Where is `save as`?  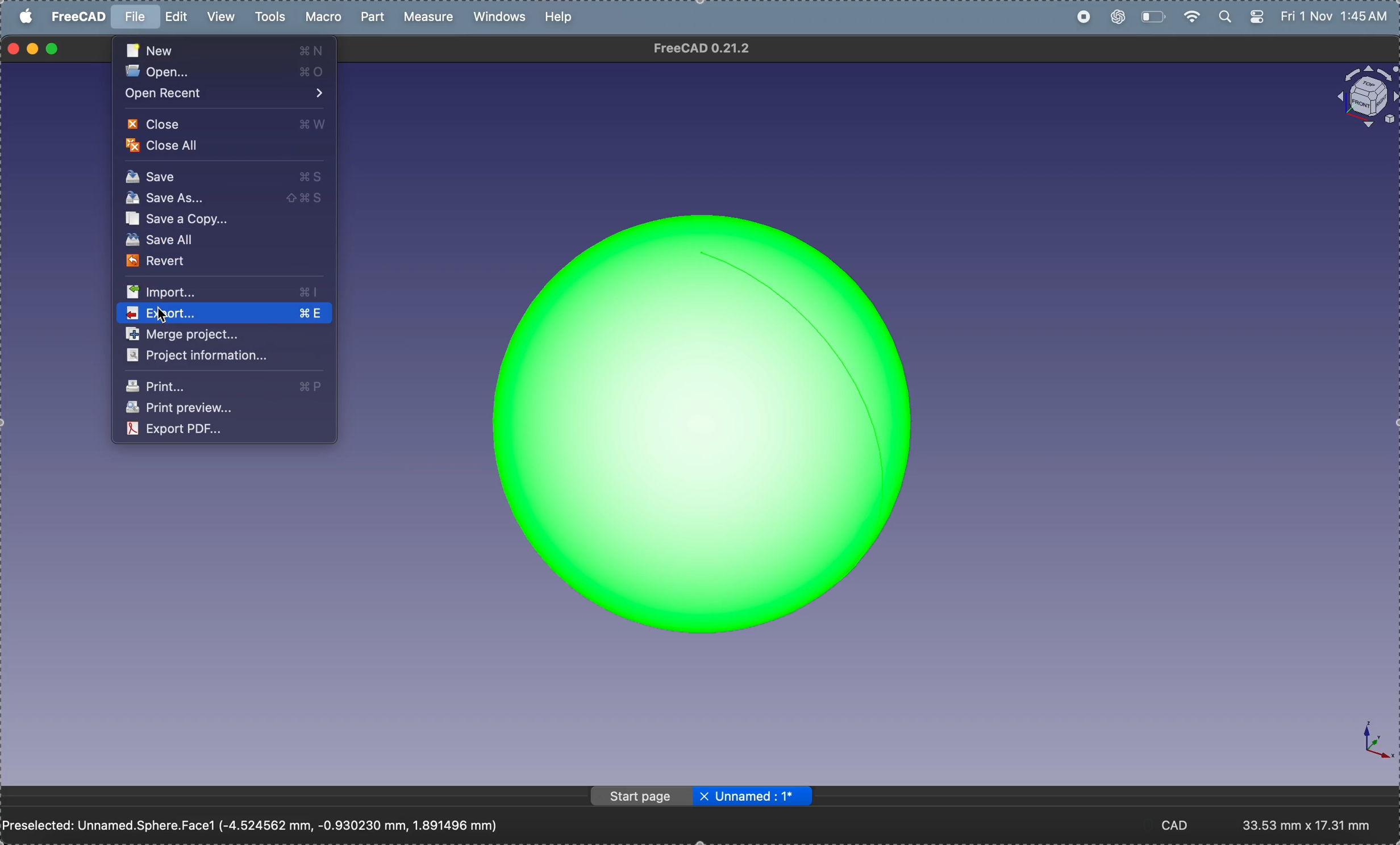 save as is located at coordinates (227, 198).